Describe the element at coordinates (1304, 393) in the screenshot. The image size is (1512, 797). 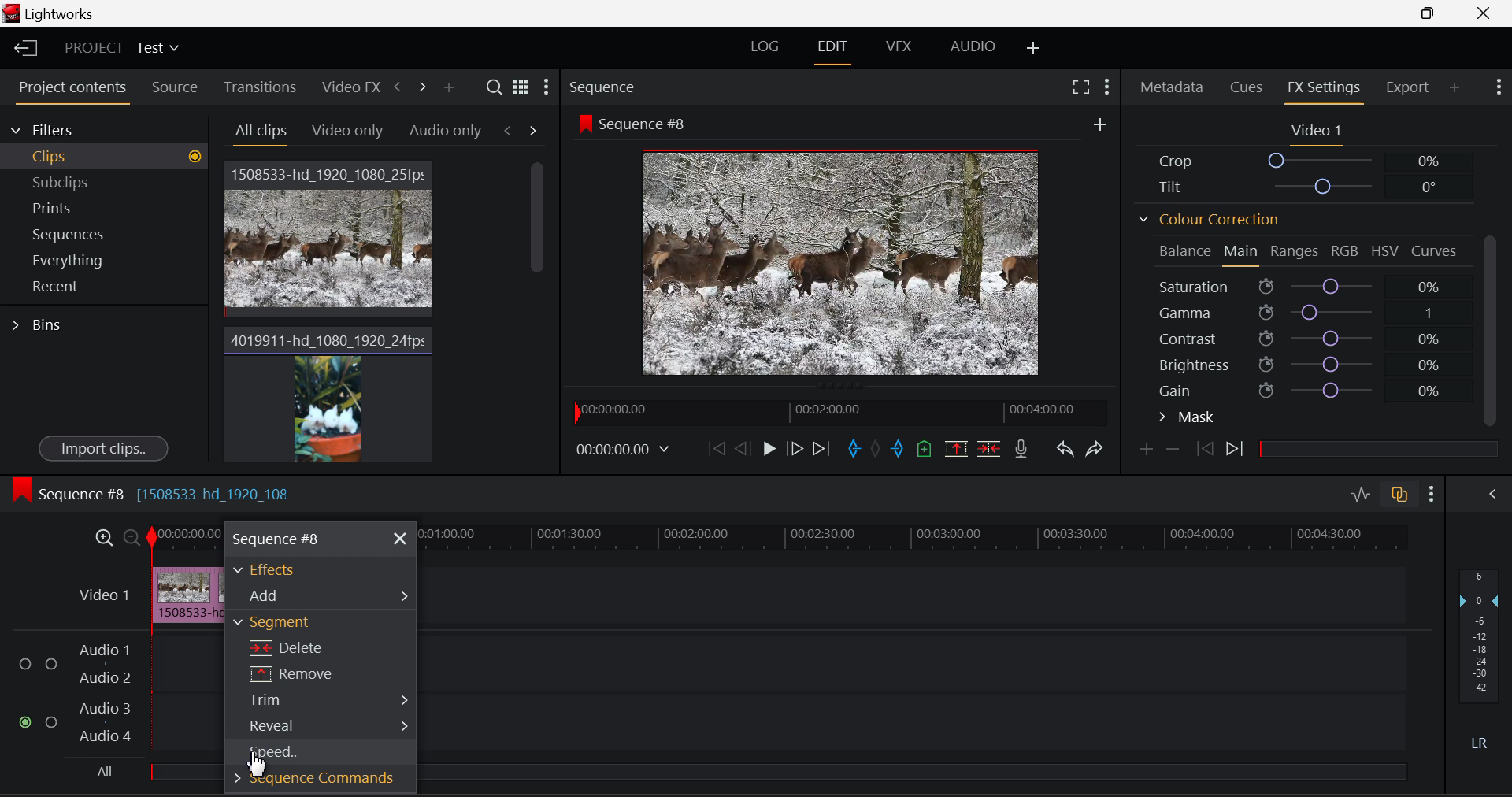
I see `Gain` at that location.